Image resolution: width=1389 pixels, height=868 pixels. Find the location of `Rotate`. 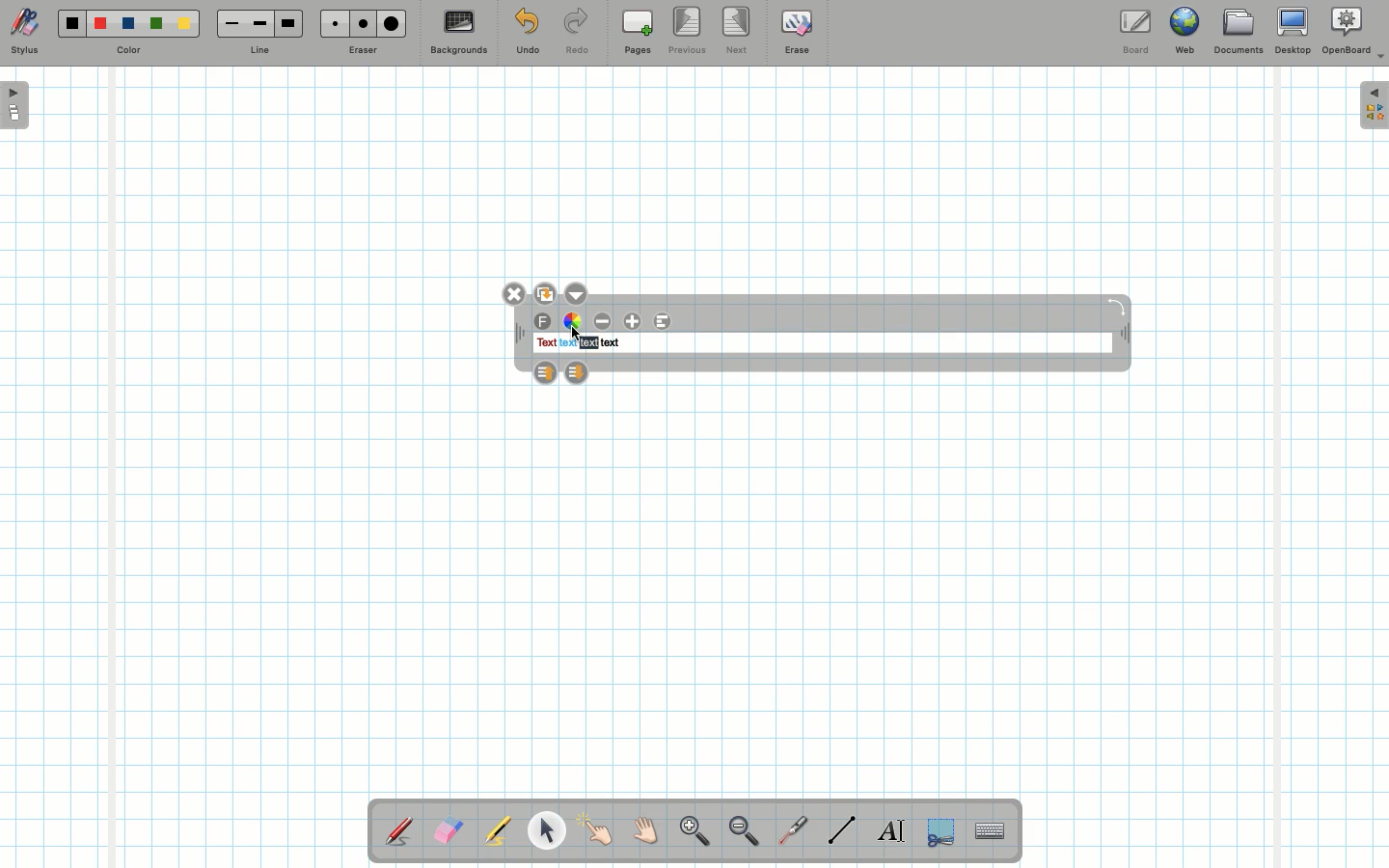

Rotate is located at coordinates (1116, 306).